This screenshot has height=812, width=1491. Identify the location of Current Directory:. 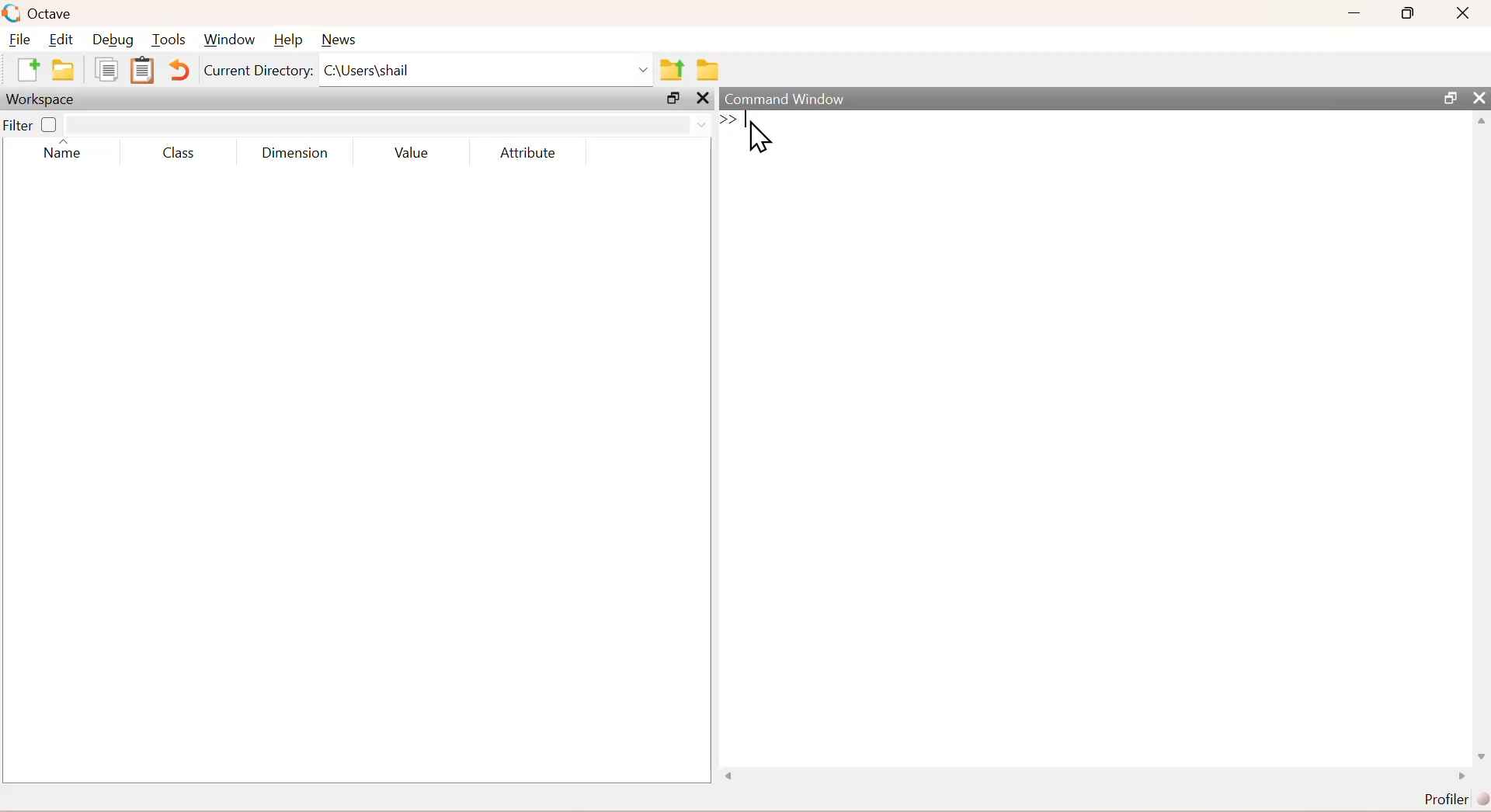
(257, 75).